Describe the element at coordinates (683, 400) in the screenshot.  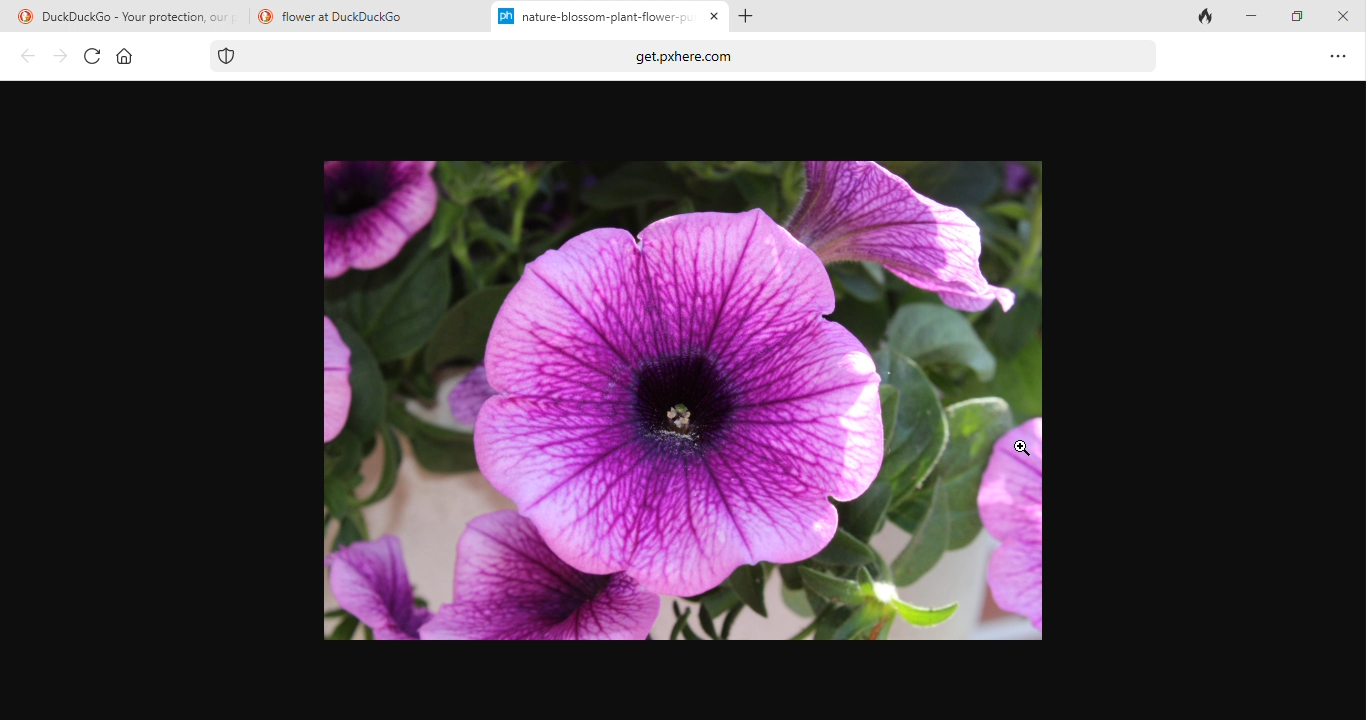
I see `image` at that location.